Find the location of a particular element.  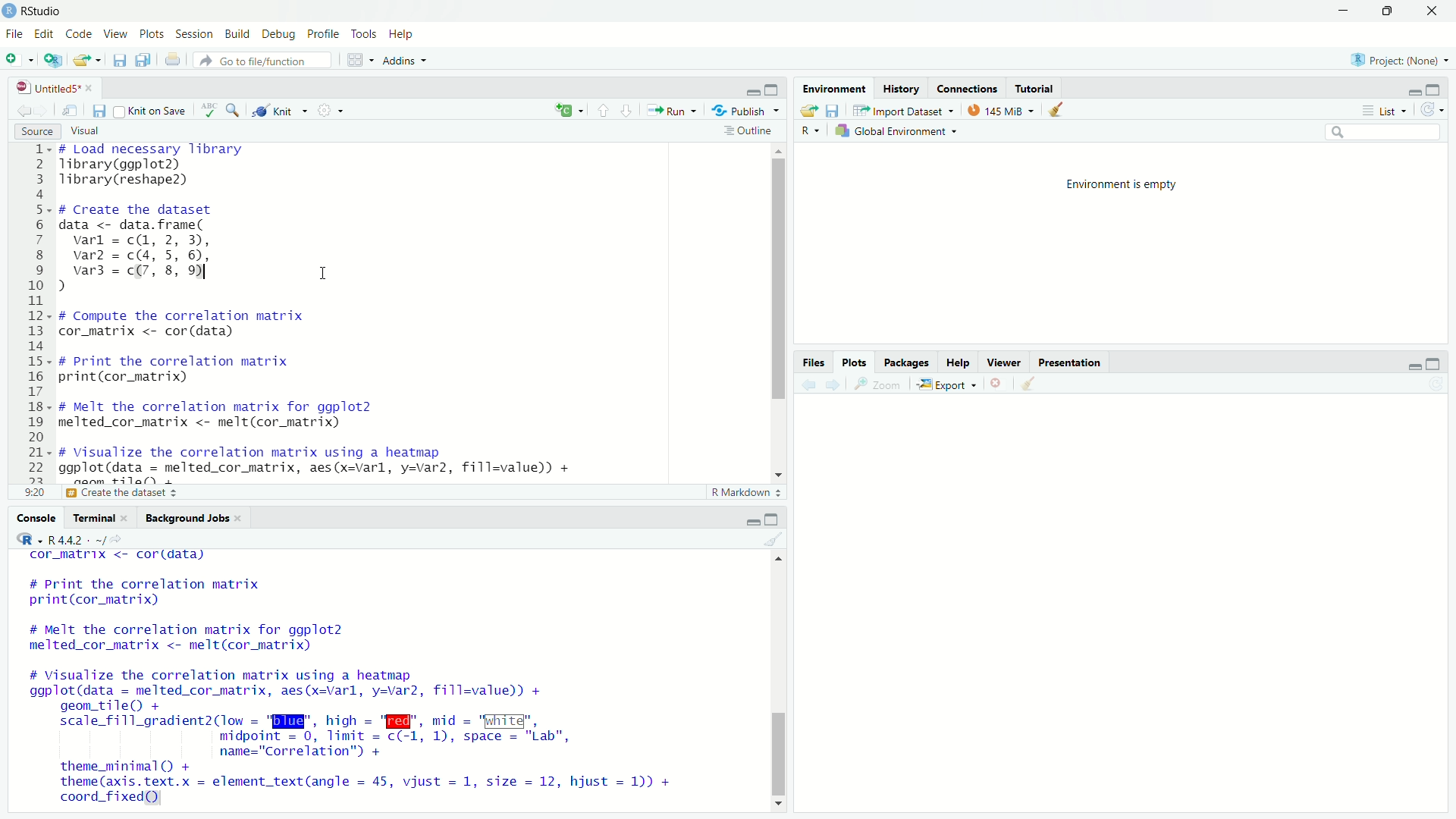

workspace panes is located at coordinates (356, 60).